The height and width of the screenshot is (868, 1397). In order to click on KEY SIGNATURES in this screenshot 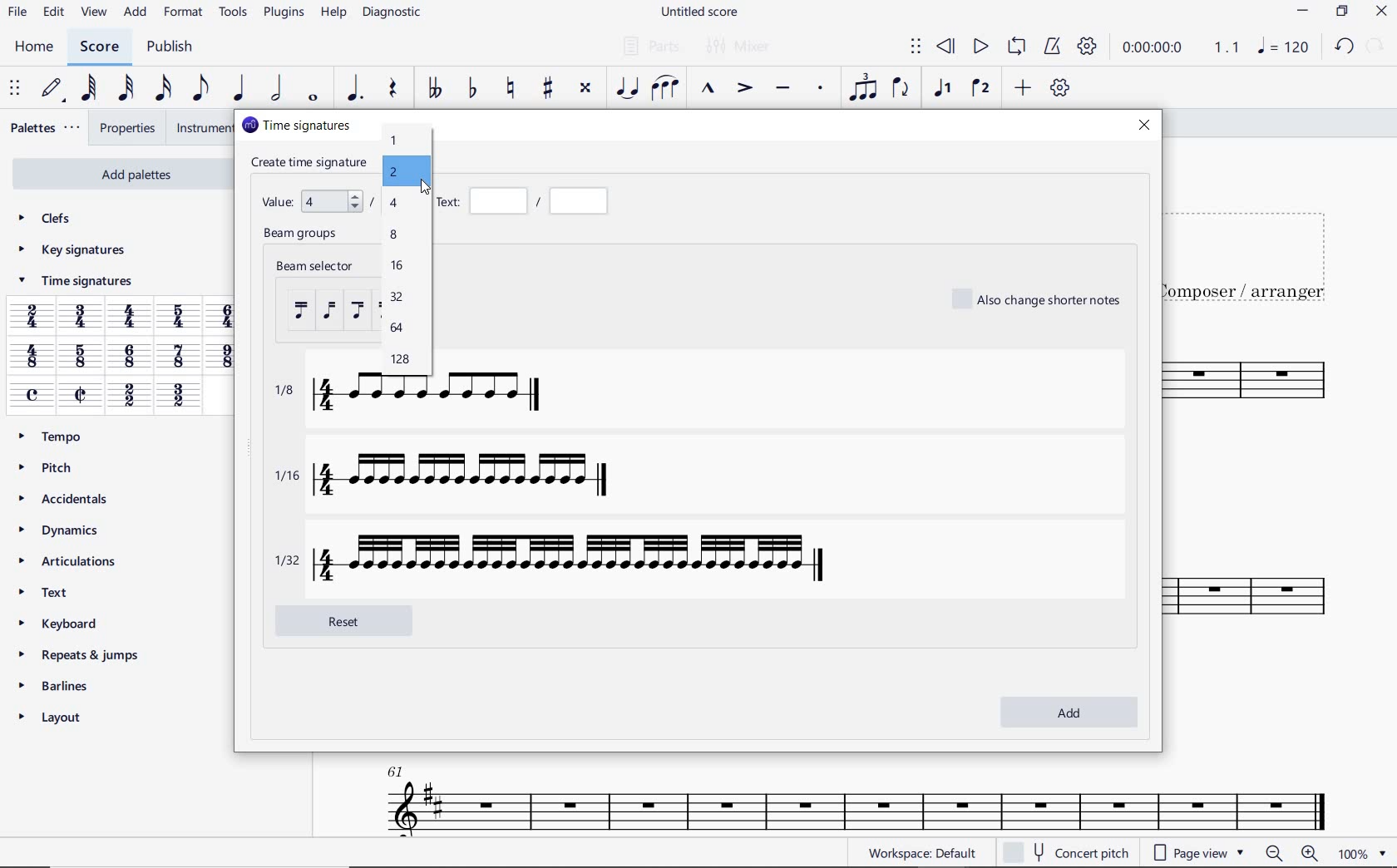, I will do `click(72, 250)`.